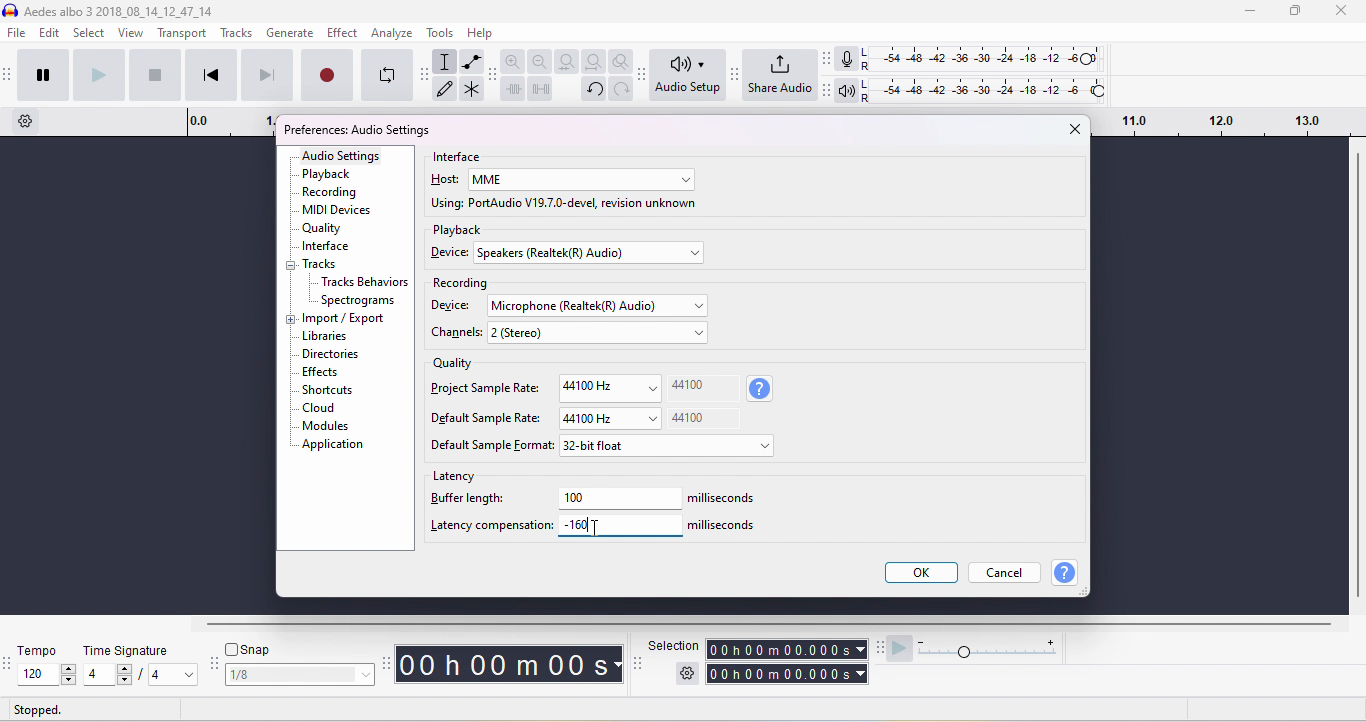 The height and width of the screenshot is (722, 1366). What do you see at coordinates (487, 387) in the screenshot?
I see `project sample rate` at bounding box center [487, 387].